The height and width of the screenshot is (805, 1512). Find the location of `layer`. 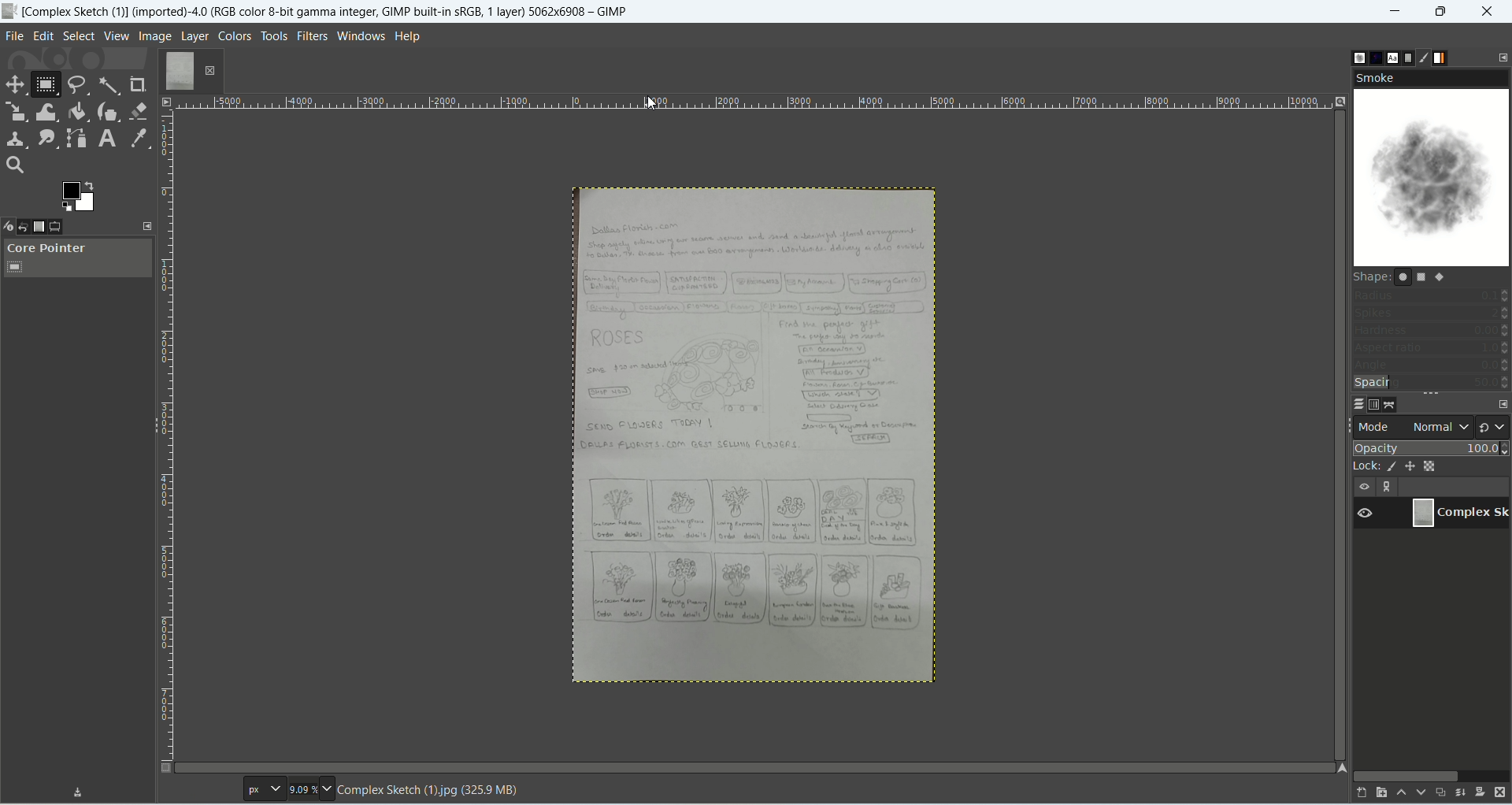

layer is located at coordinates (196, 37).